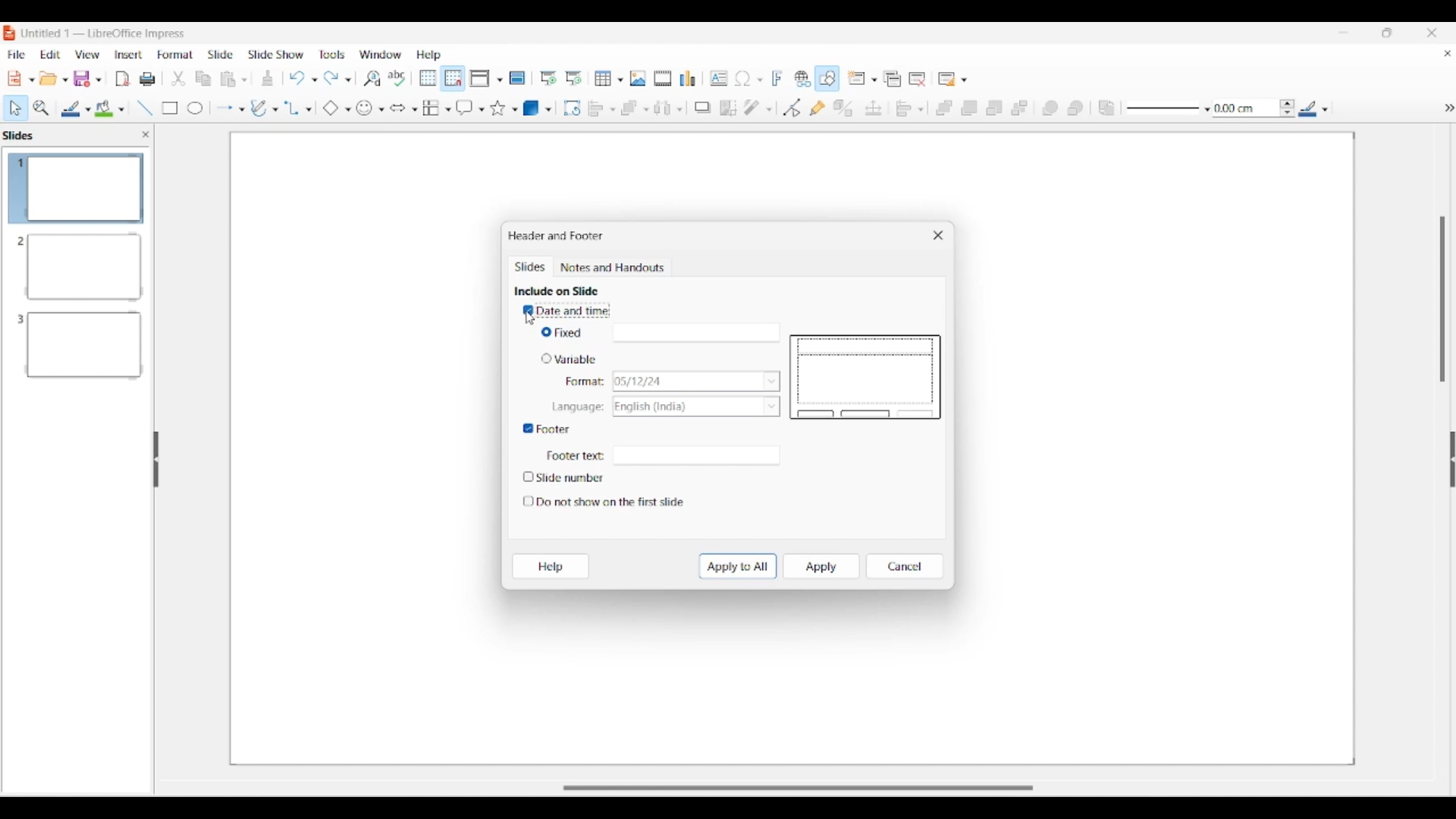 The width and height of the screenshot is (1456, 819). I want to click on Cancel, so click(904, 566).